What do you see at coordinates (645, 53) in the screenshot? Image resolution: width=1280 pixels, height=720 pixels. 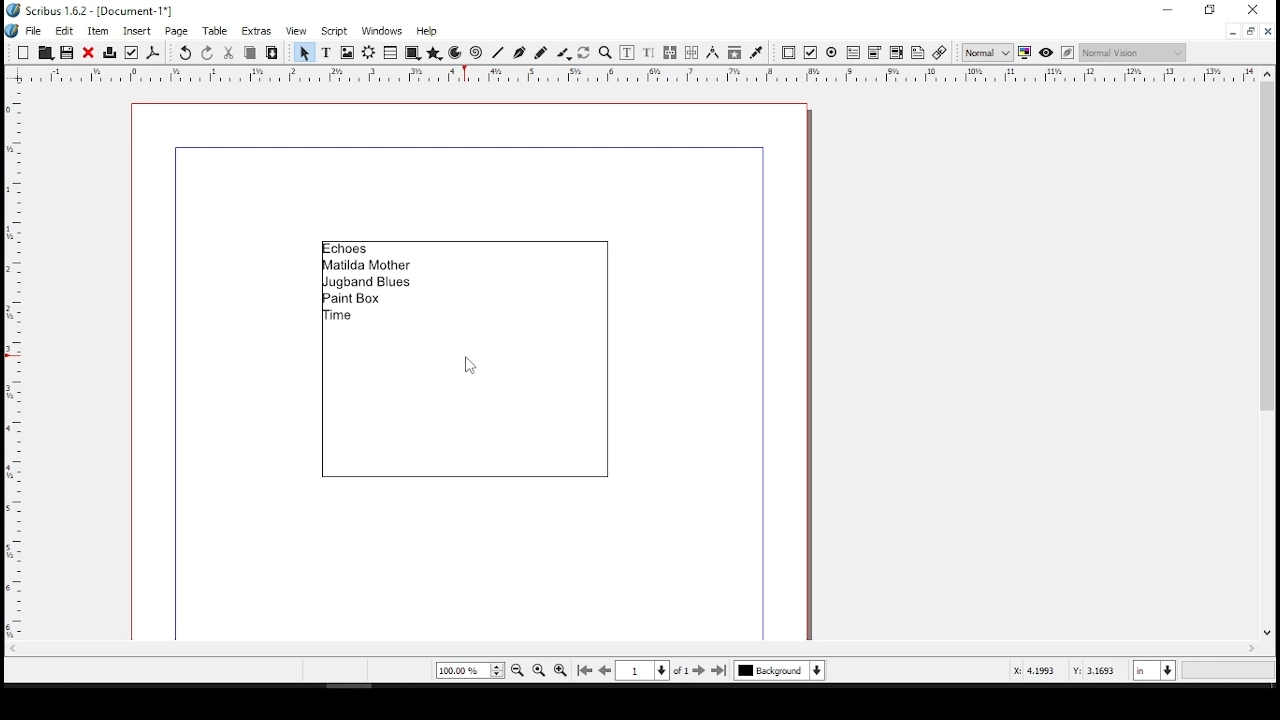 I see `edit text with story editor` at bounding box center [645, 53].